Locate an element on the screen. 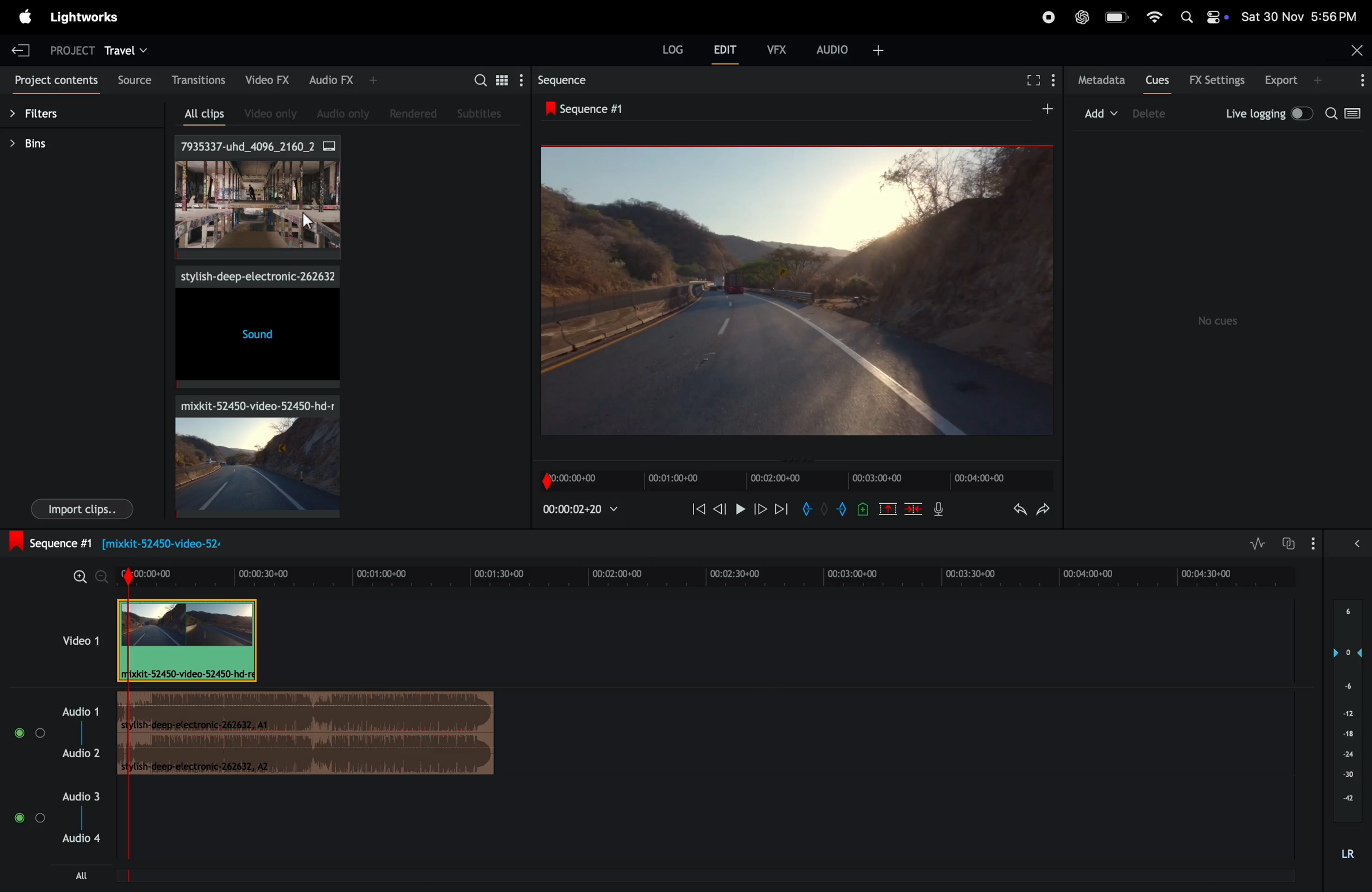 Image resolution: width=1372 pixels, height=892 pixels. audio only is located at coordinates (338, 112).